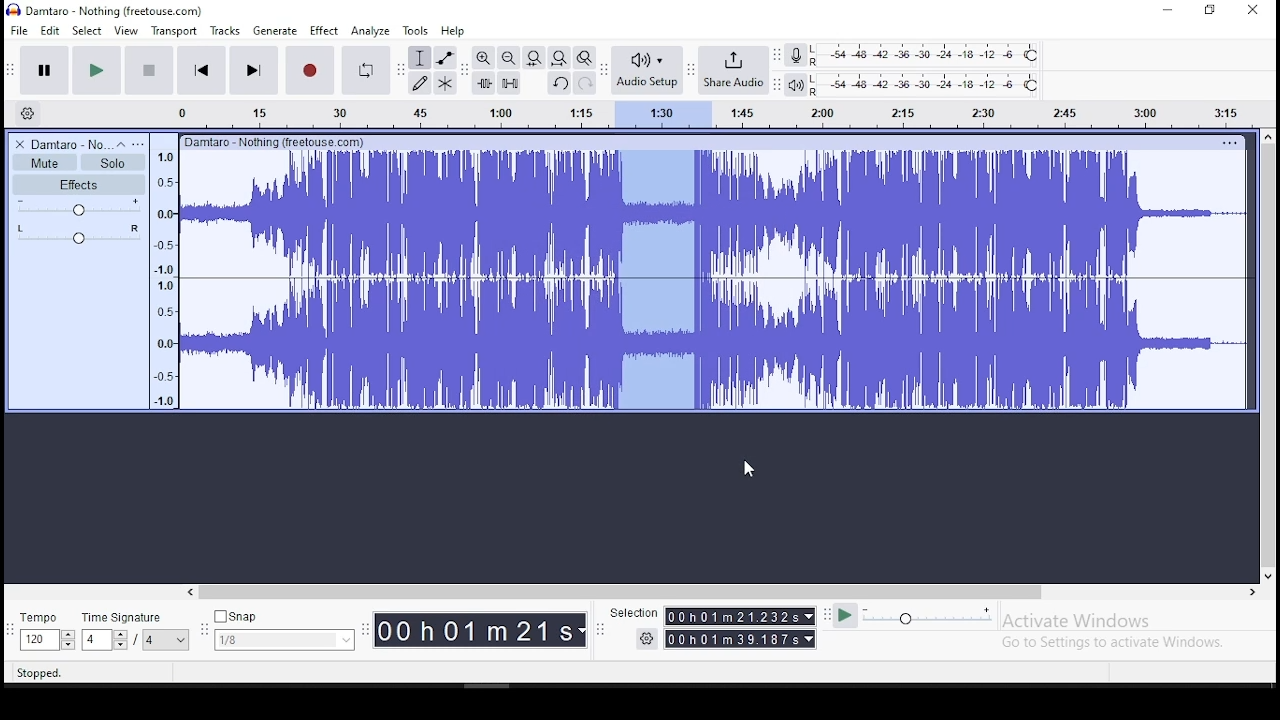  What do you see at coordinates (67, 640) in the screenshot?
I see `drop down` at bounding box center [67, 640].